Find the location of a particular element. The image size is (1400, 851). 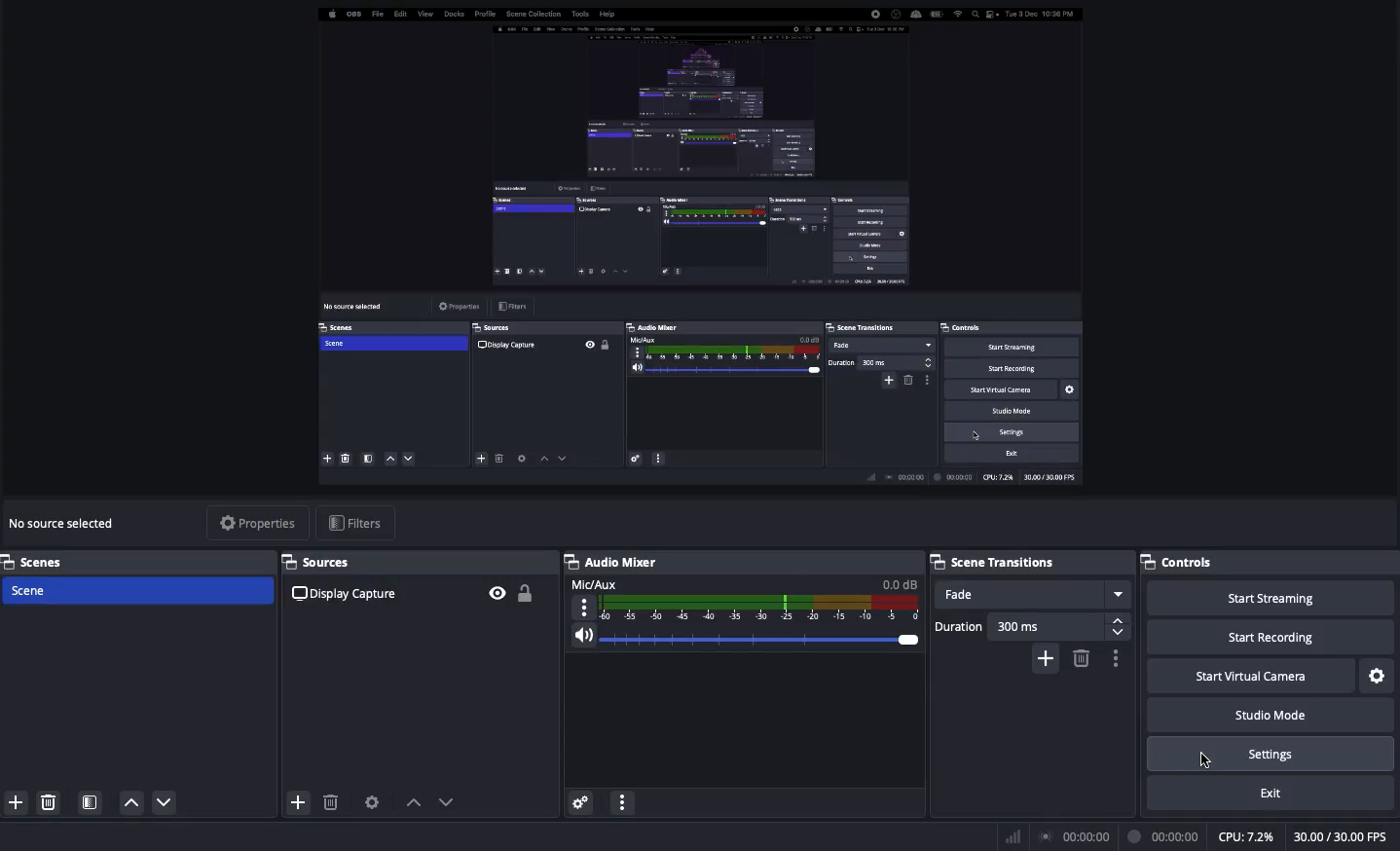

Move down is located at coordinates (444, 801).